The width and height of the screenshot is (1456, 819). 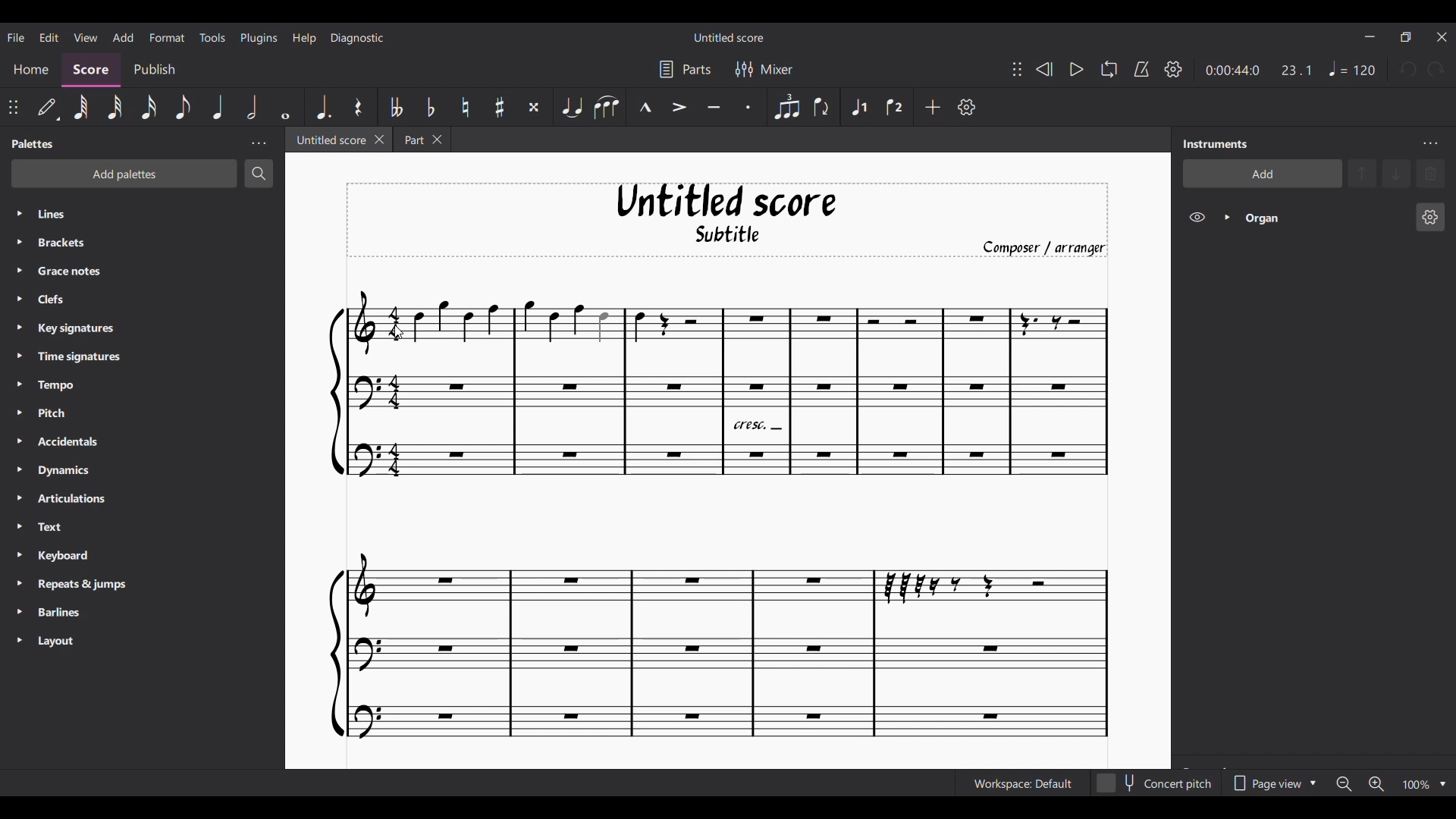 I want to click on Diagnostic menu, so click(x=357, y=38).